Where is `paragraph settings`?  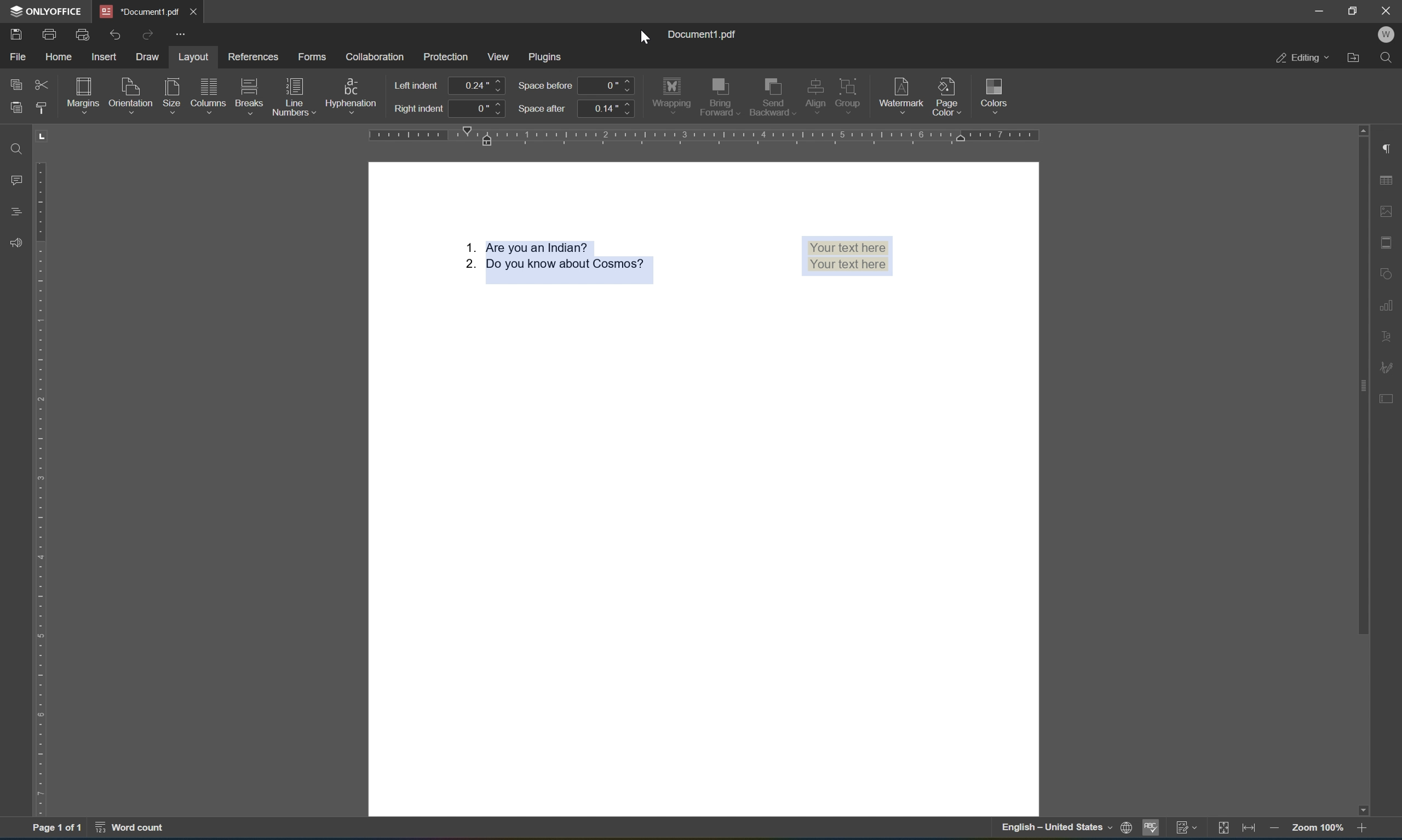
paragraph settings is located at coordinates (1390, 147).